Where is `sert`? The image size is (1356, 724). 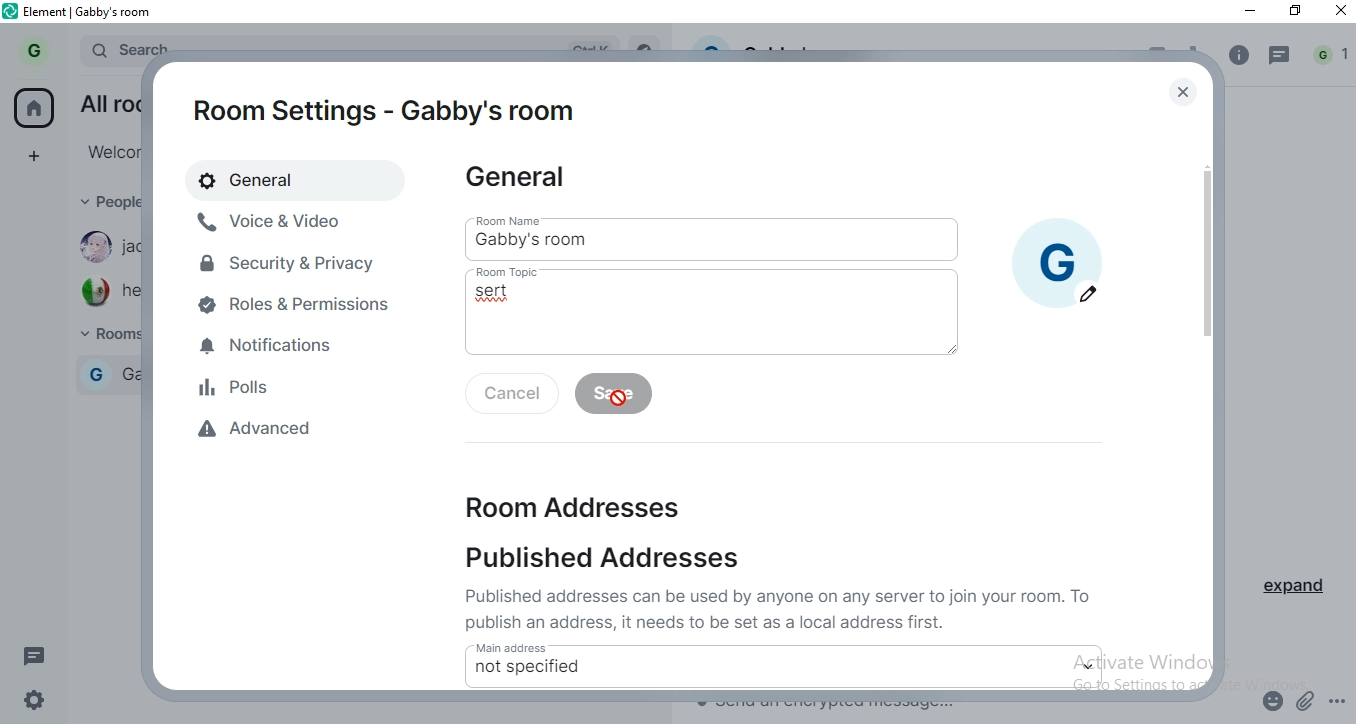 sert is located at coordinates (495, 295).